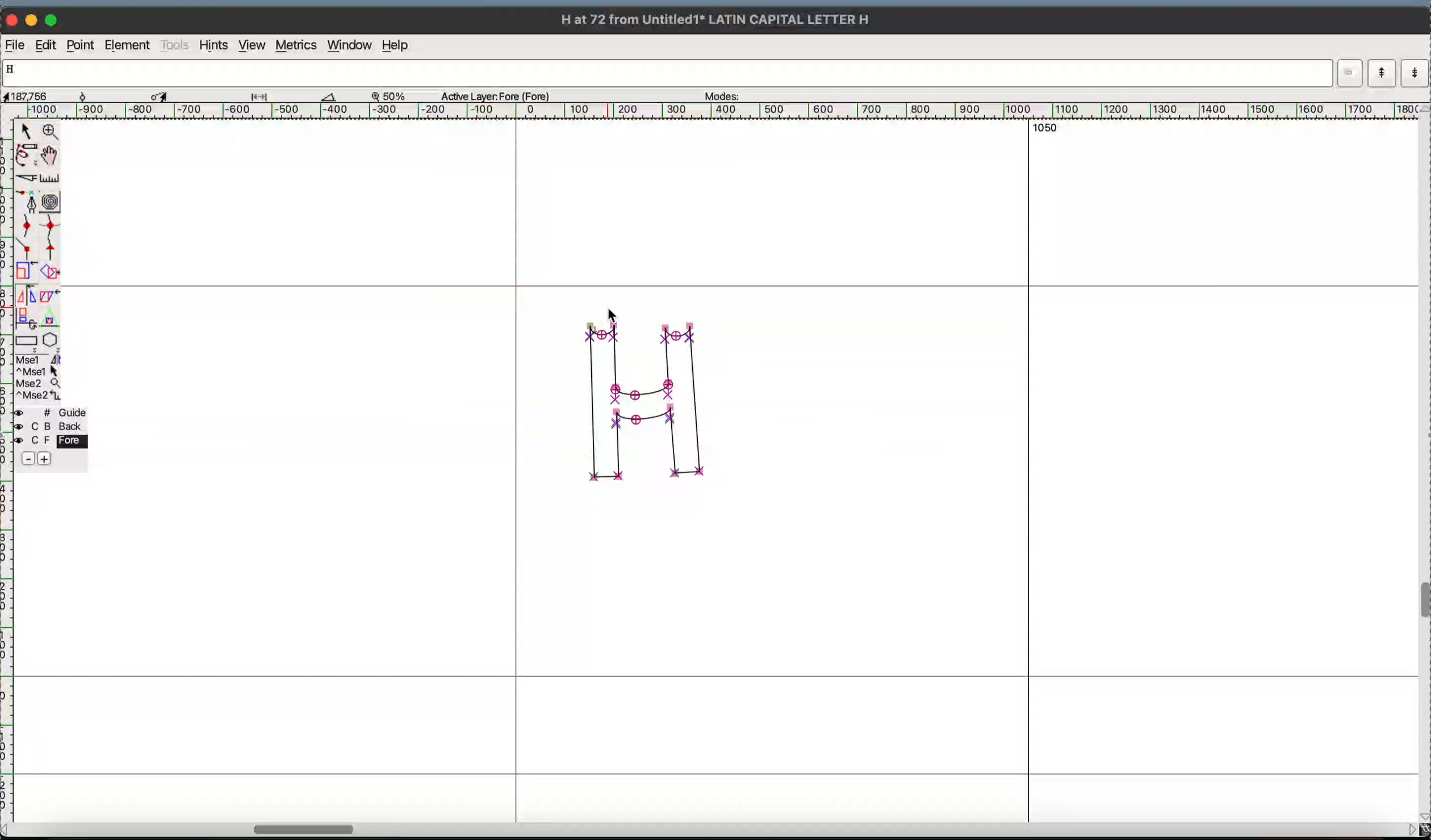 The height and width of the screenshot is (840, 1431). What do you see at coordinates (667, 72) in the screenshot?
I see `word input list currently showing letter "H"` at bounding box center [667, 72].